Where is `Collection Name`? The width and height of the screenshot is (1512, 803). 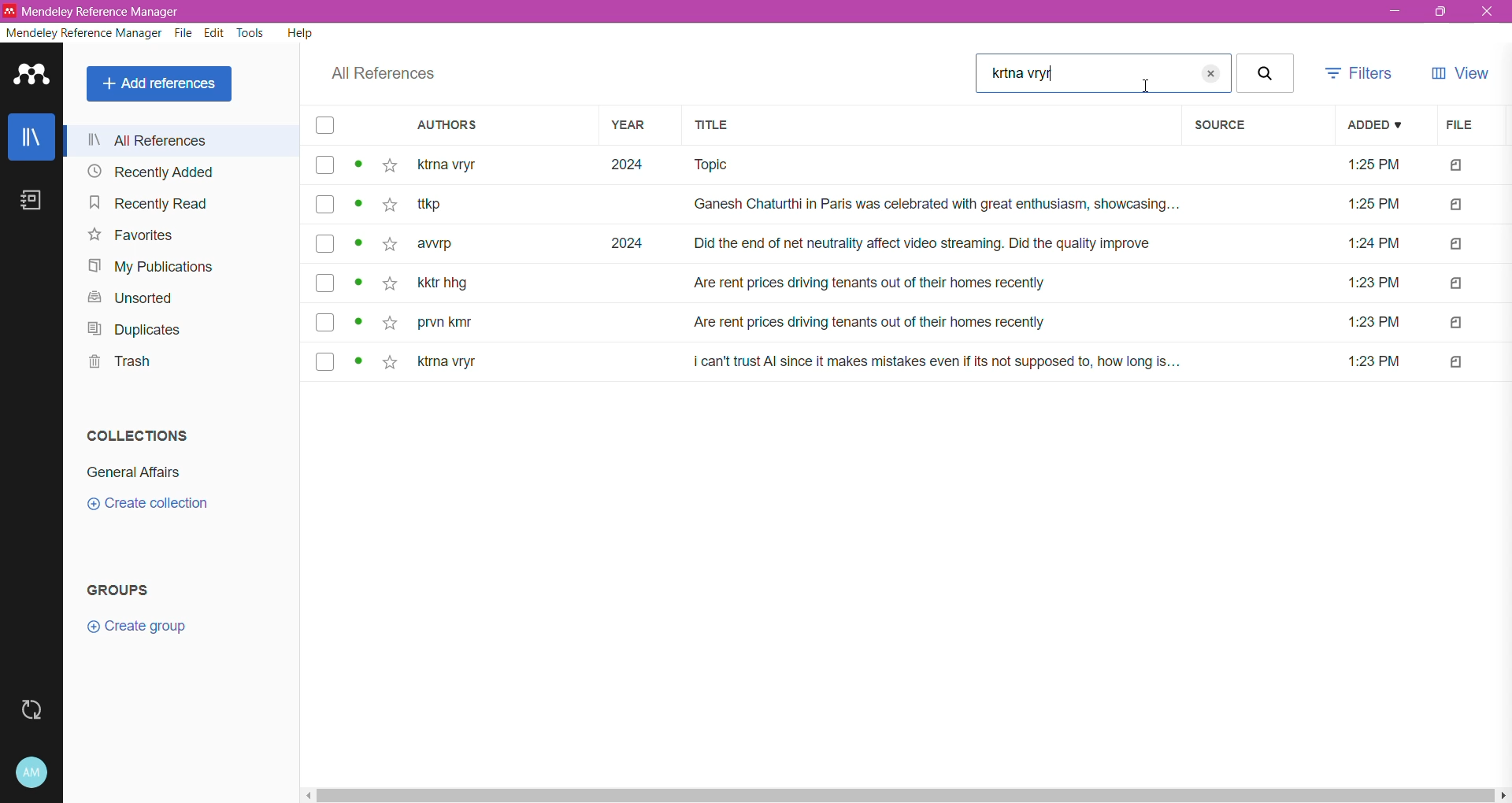 Collection Name is located at coordinates (139, 472).